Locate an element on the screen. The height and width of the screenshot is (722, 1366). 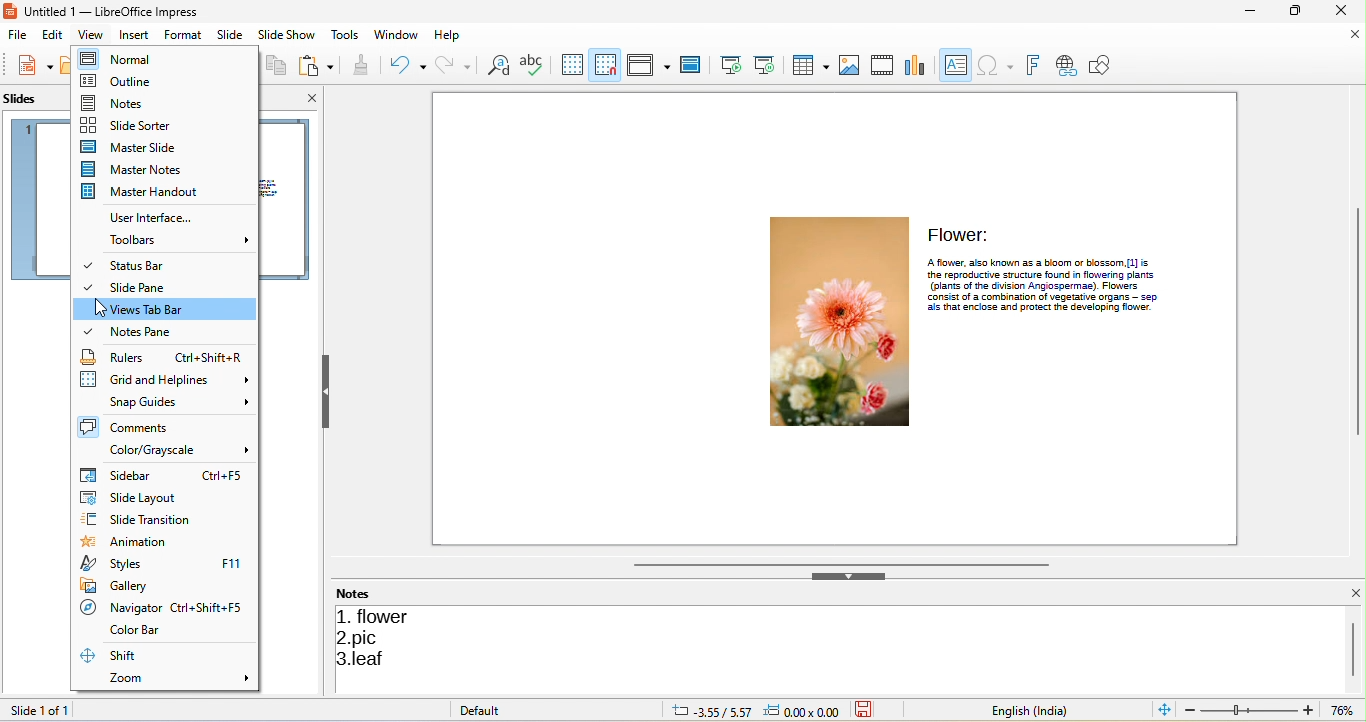
(plans of the division Angiospermae). Flowers is located at coordinates (1037, 286).